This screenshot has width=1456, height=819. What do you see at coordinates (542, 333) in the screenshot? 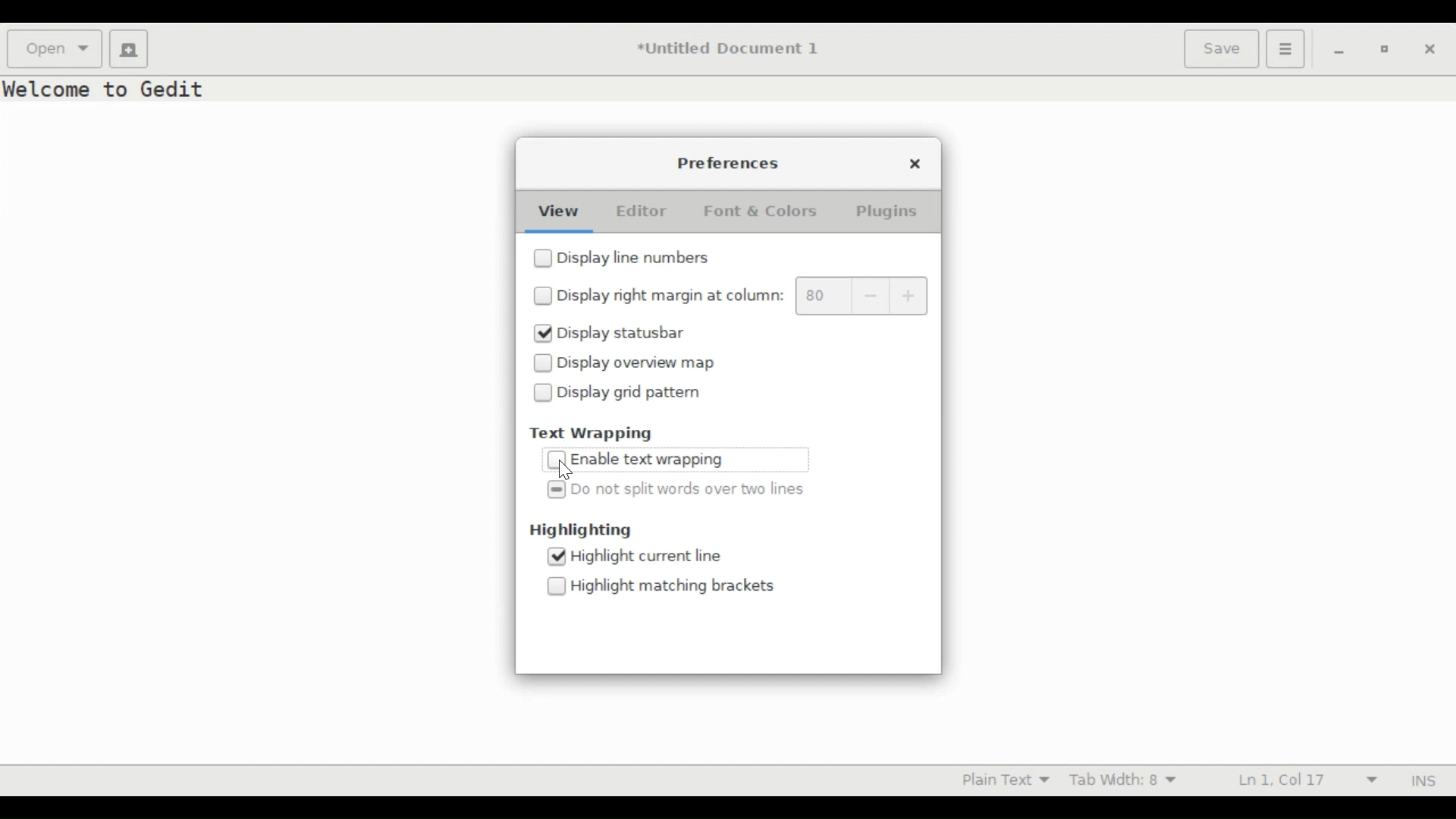
I see `checked checkbox` at bounding box center [542, 333].